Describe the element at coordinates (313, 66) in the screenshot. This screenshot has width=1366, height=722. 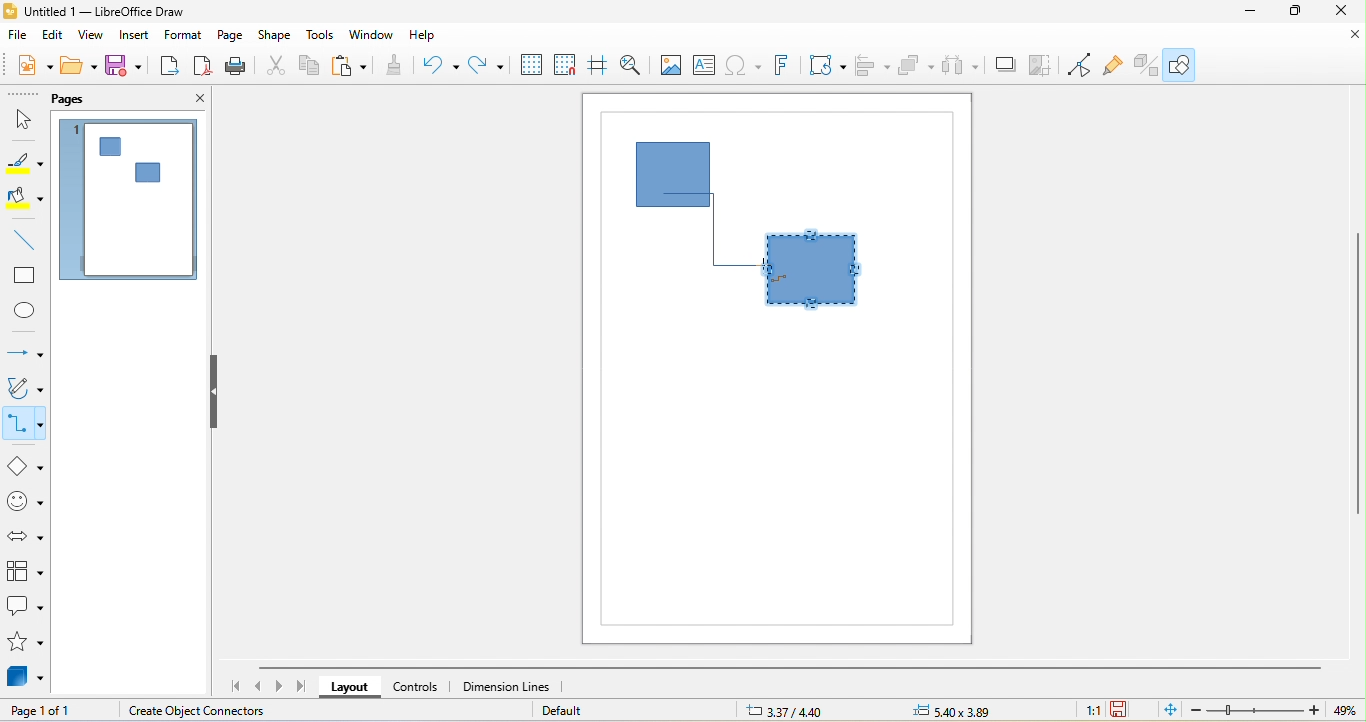
I see `copy` at that location.